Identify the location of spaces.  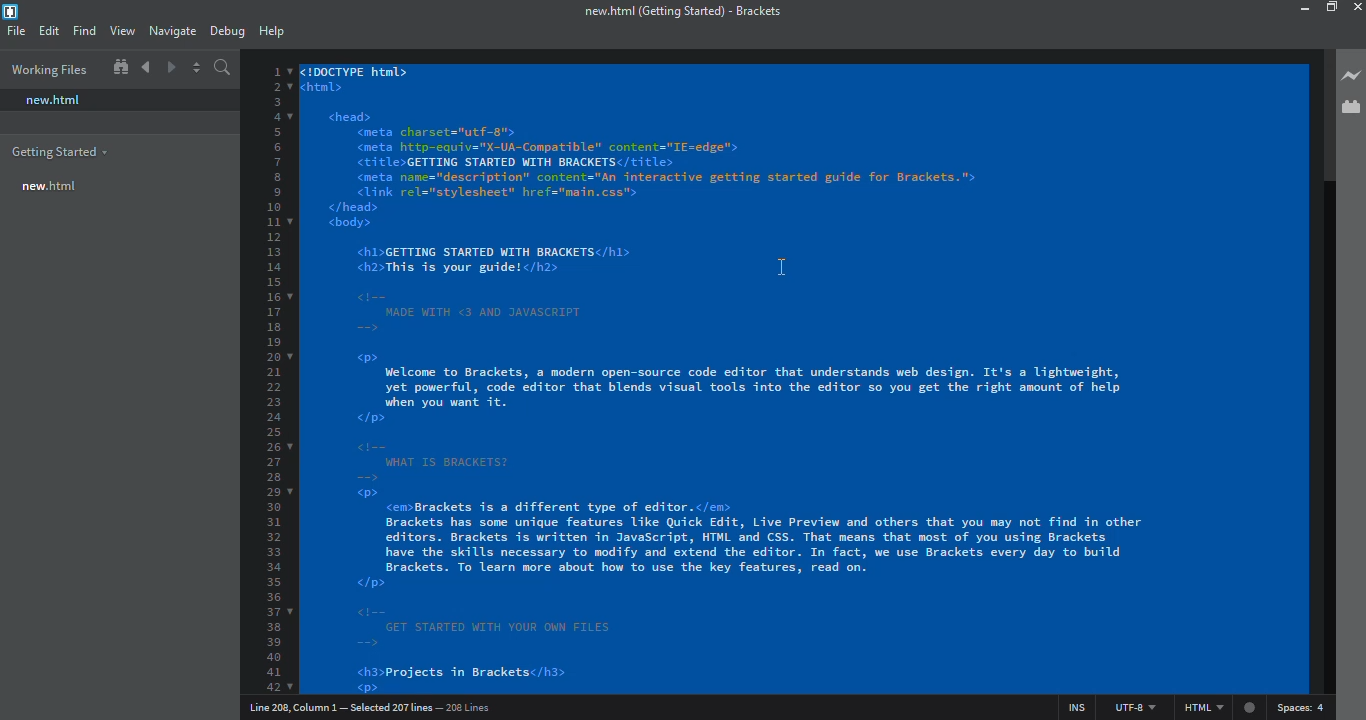
(1309, 708).